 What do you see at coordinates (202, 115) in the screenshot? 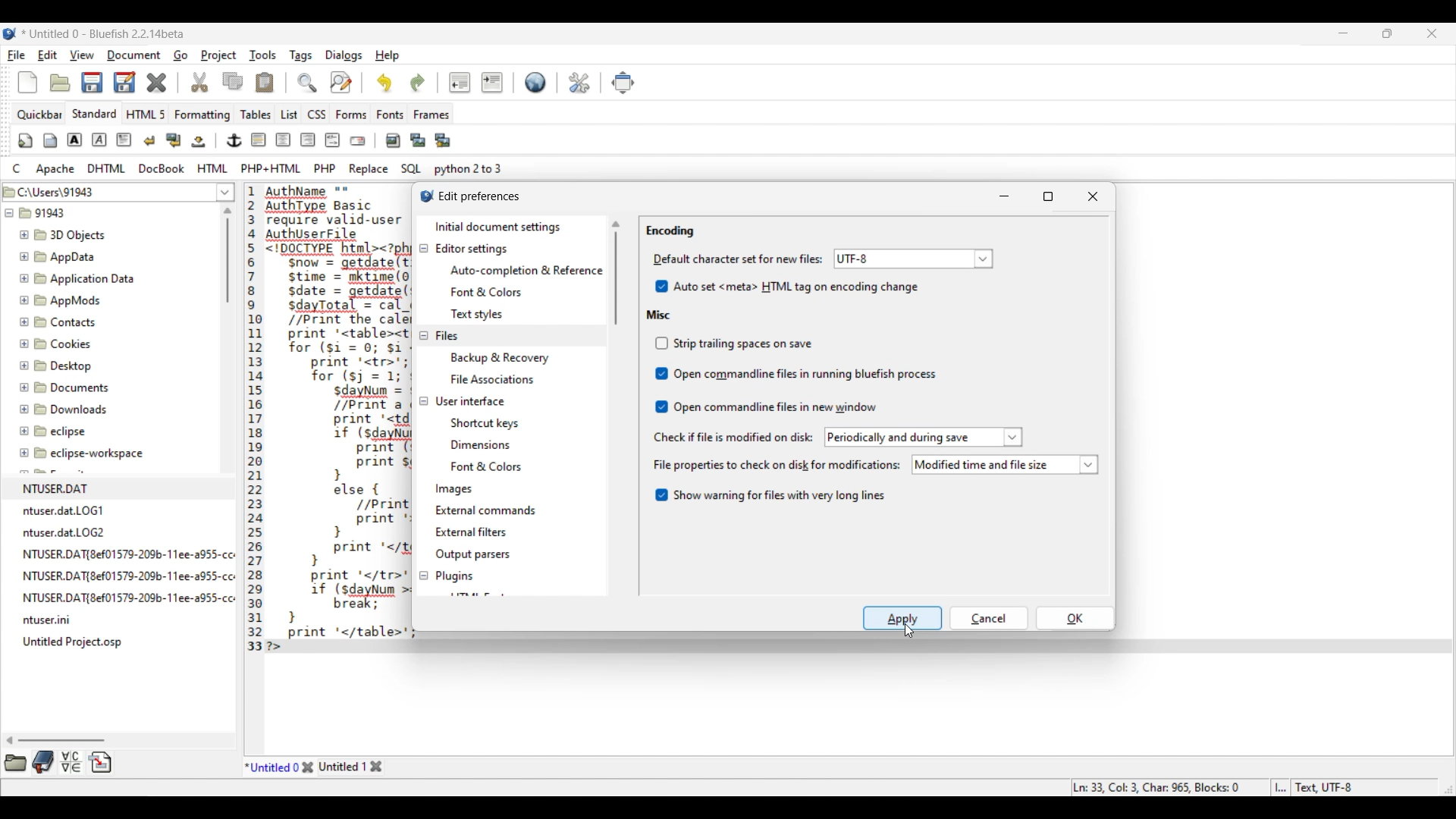
I see `Formatting menu` at bounding box center [202, 115].